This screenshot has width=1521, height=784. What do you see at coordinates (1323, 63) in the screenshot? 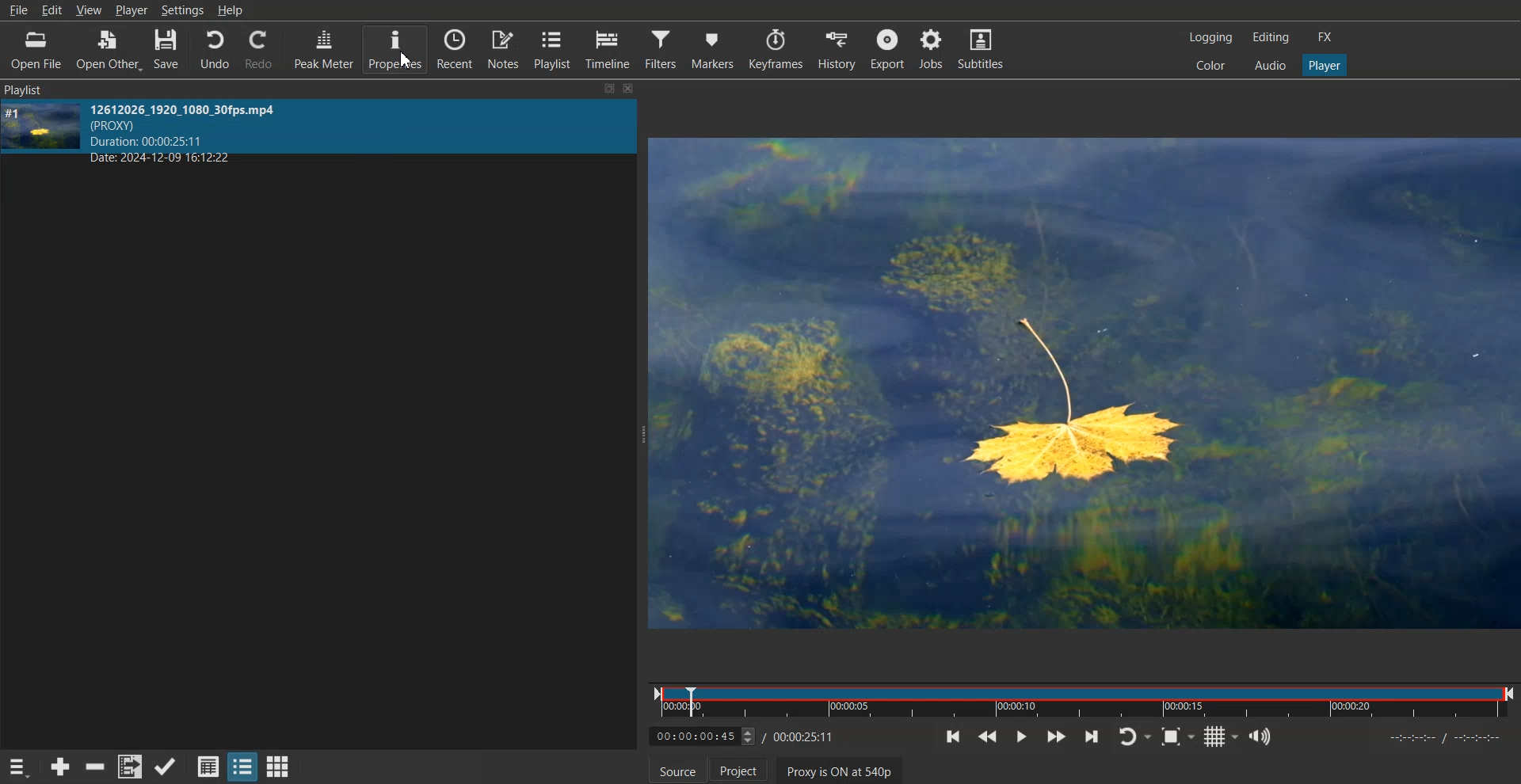
I see `Player one` at bounding box center [1323, 63].